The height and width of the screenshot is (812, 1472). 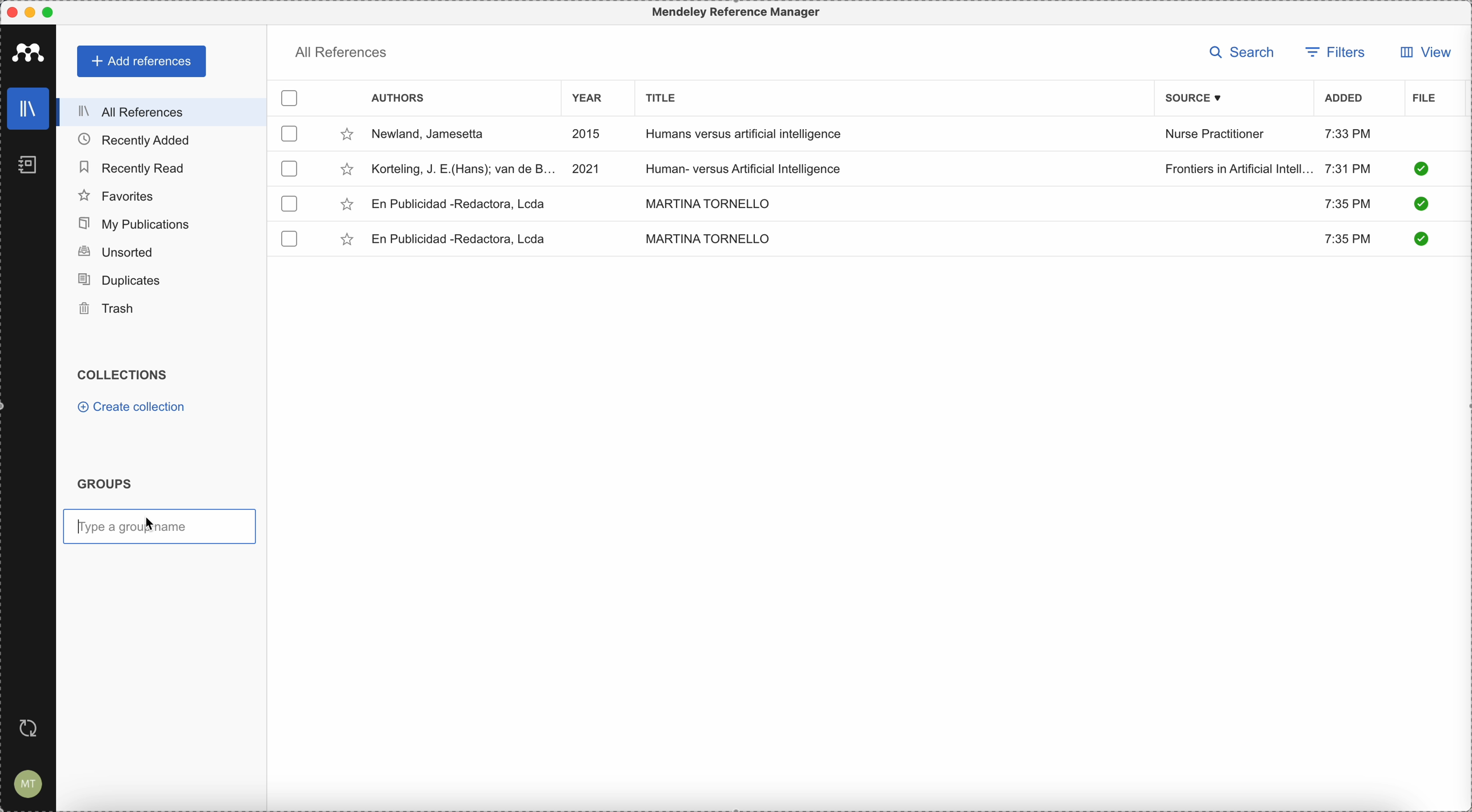 What do you see at coordinates (291, 133) in the screenshot?
I see `checkbox` at bounding box center [291, 133].